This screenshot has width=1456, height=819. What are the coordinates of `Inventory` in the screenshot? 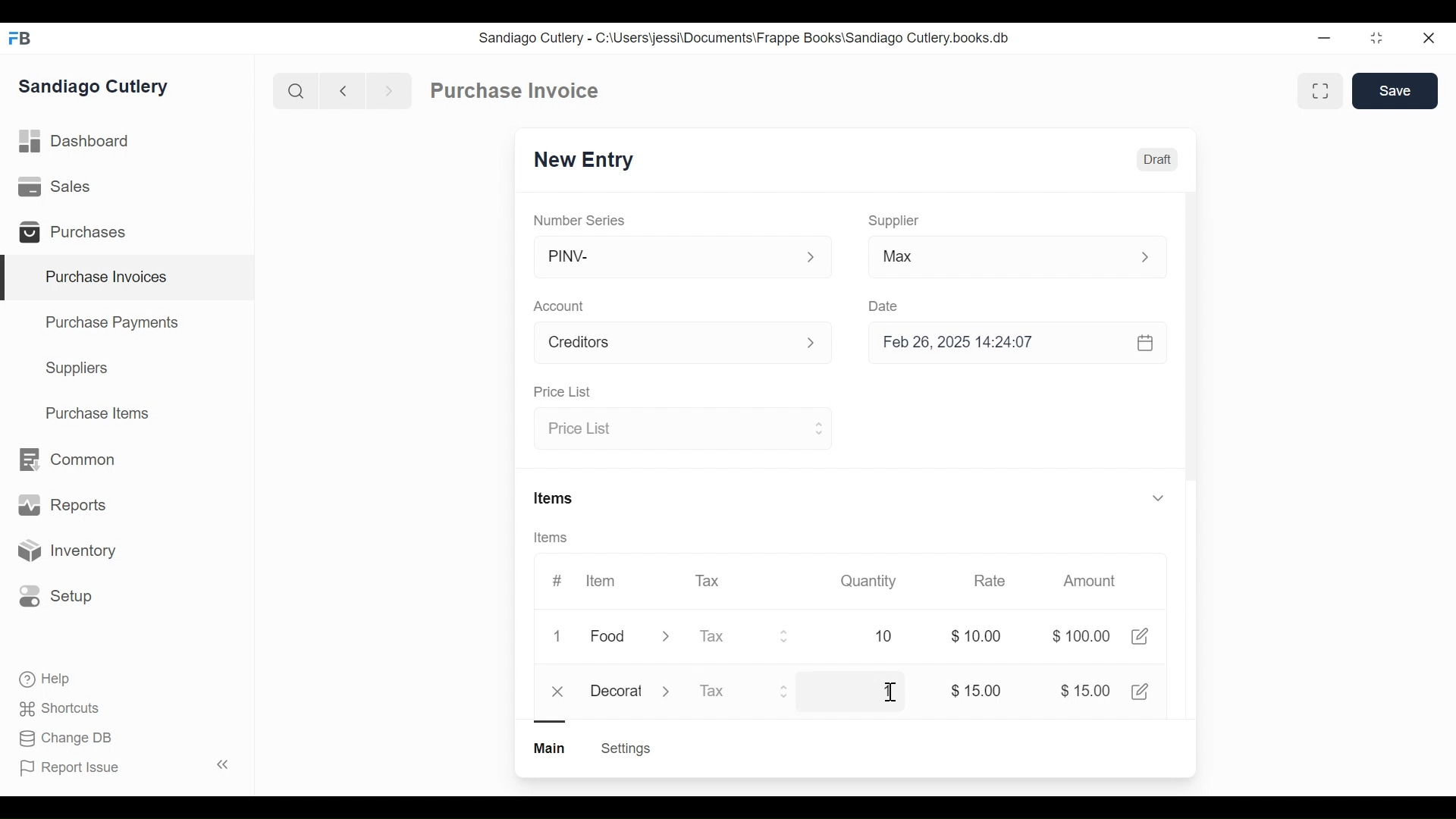 It's located at (65, 551).